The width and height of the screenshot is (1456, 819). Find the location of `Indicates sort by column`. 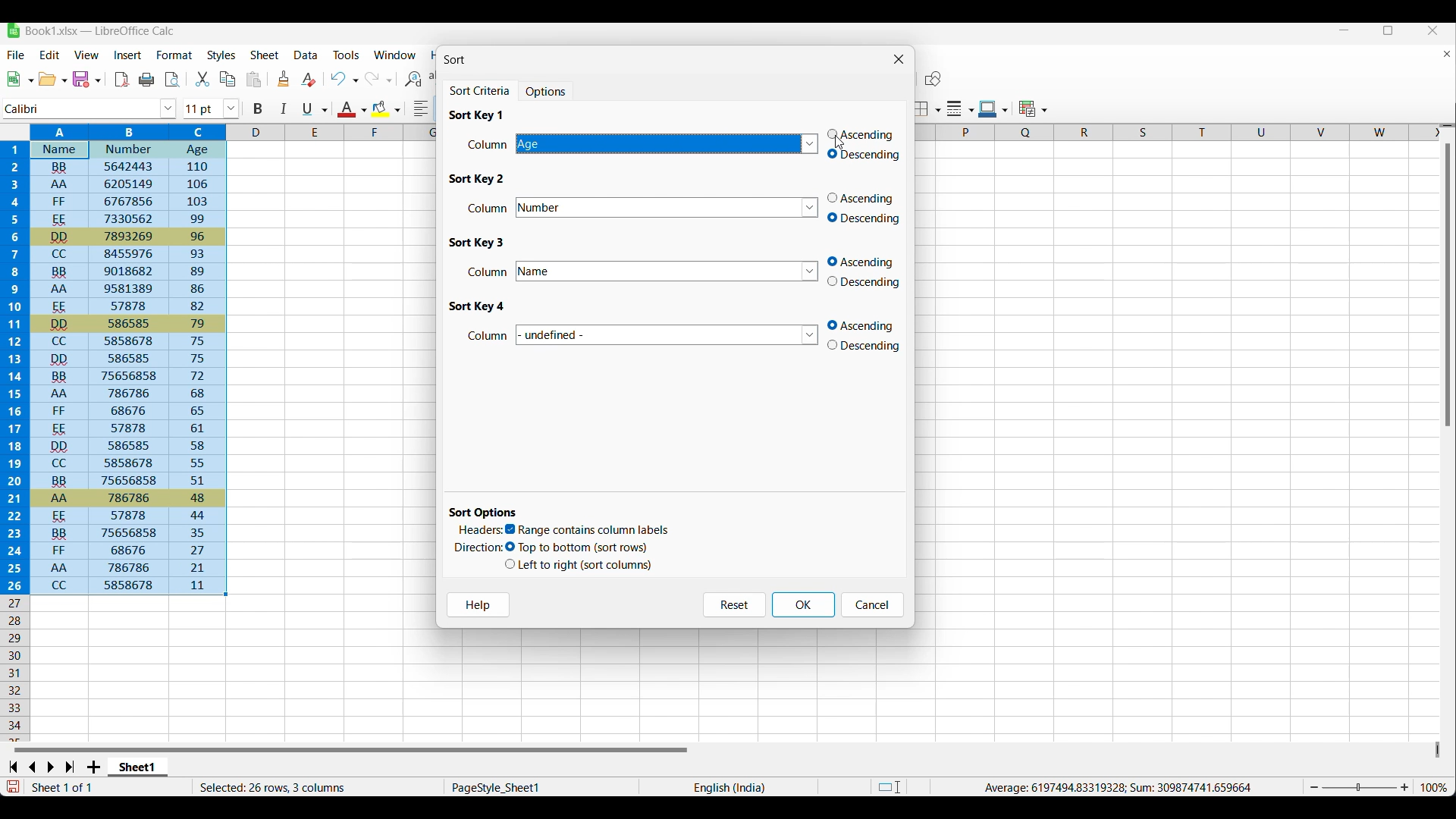

Indicates sort by column is located at coordinates (491, 207).